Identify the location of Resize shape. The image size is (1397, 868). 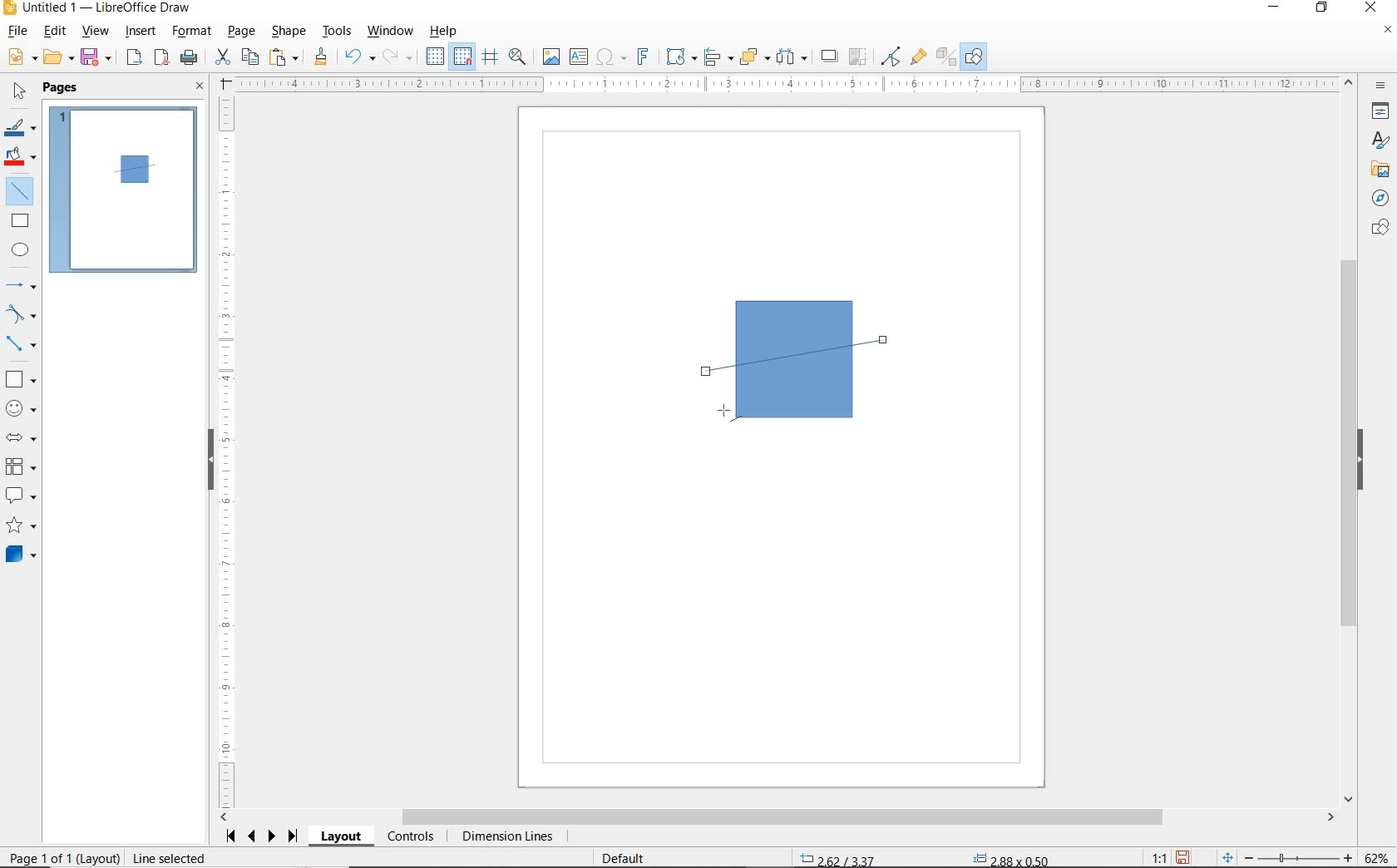
(256, 857).